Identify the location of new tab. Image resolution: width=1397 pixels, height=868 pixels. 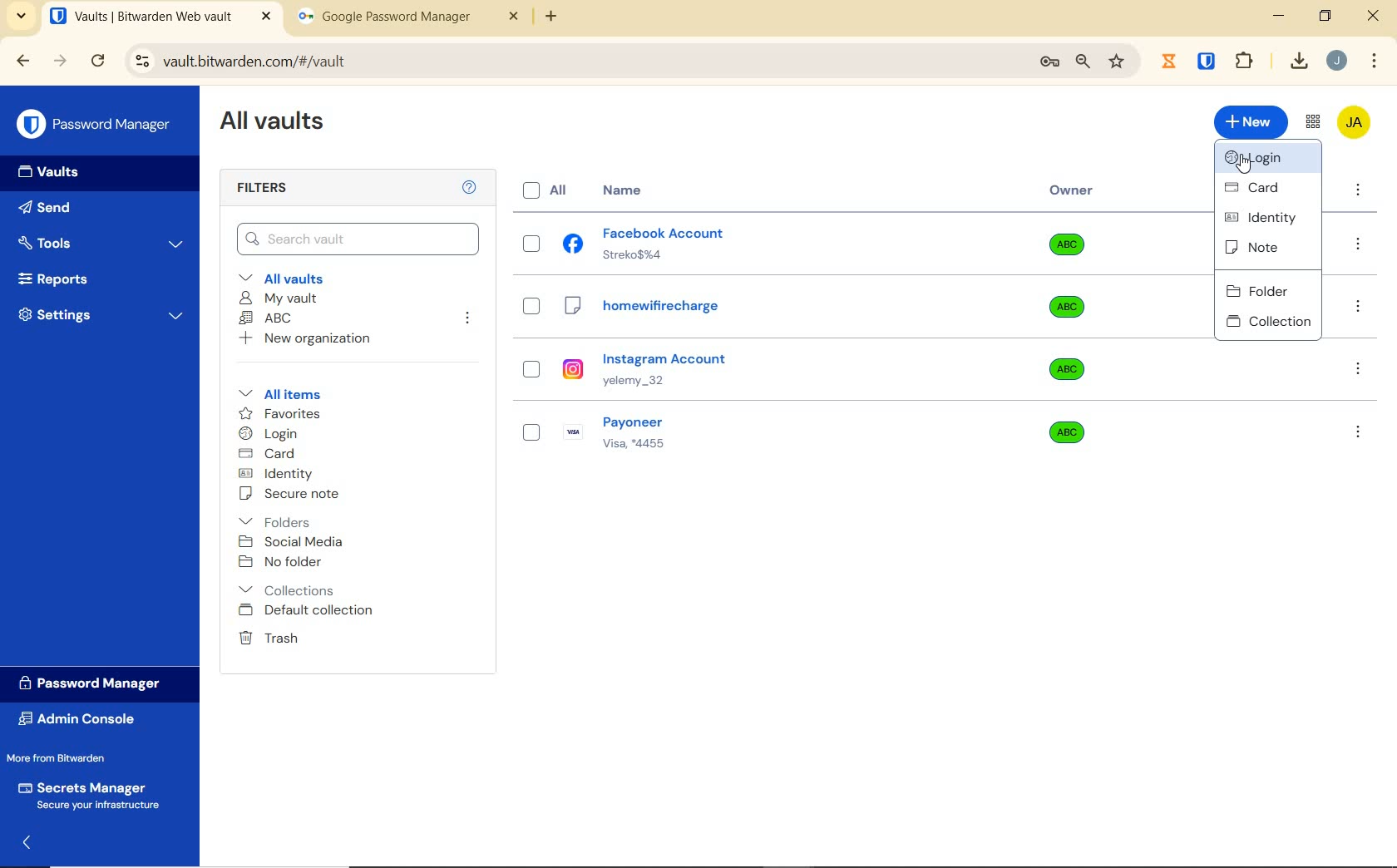
(554, 17).